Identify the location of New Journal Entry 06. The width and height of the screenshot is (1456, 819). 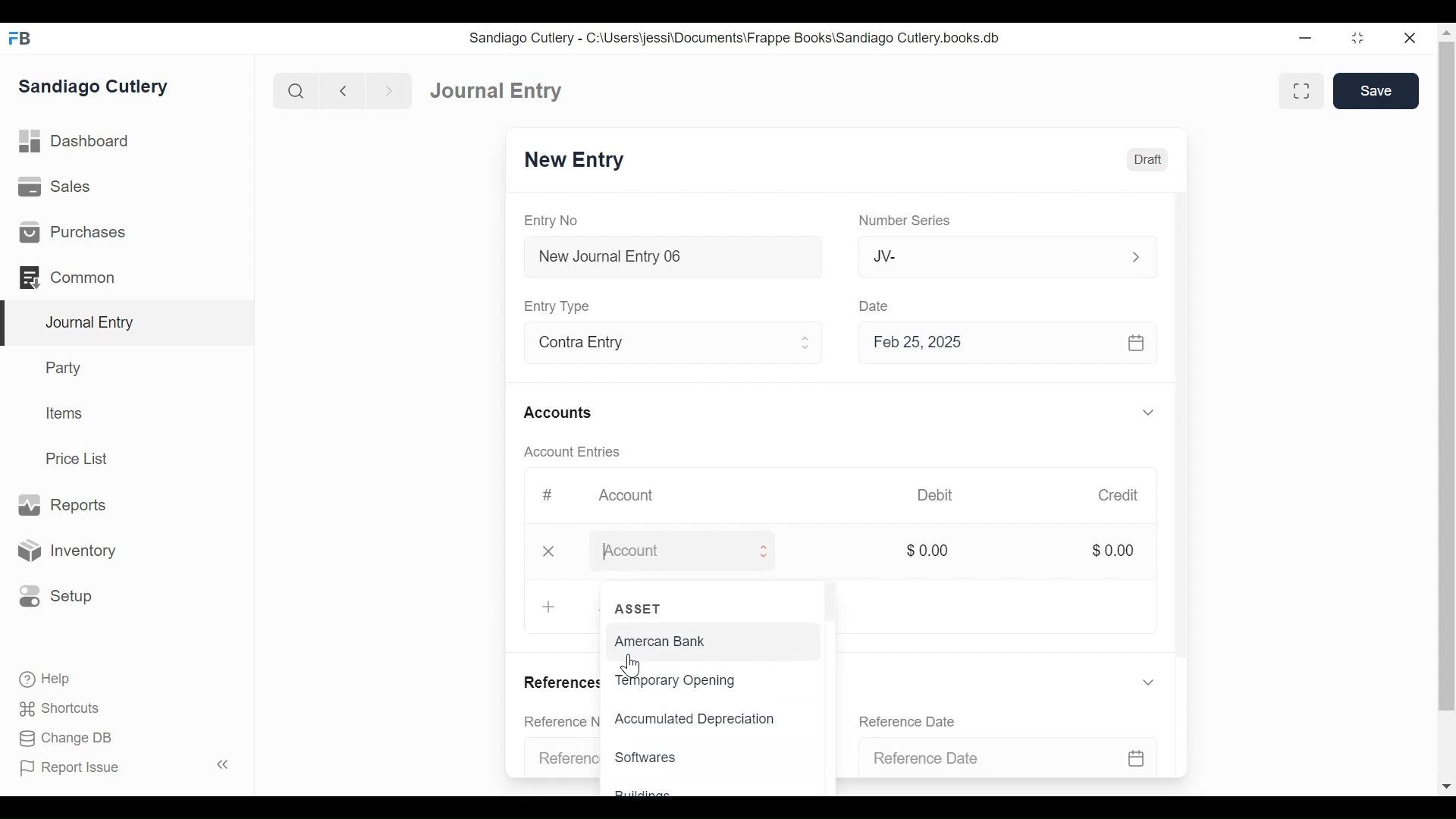
(671, 255).